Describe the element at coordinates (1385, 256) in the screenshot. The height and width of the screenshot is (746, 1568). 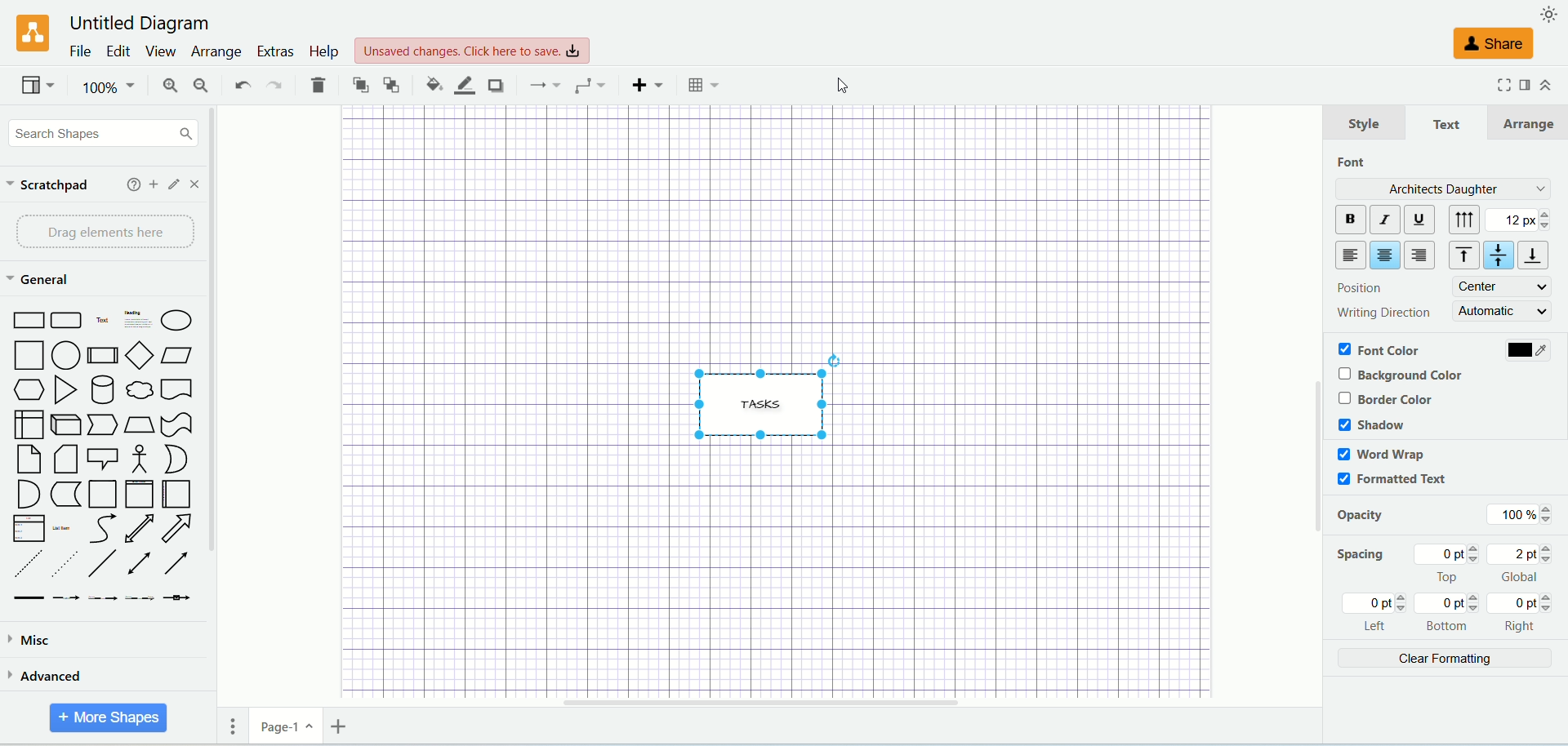
I see `center` at that location.